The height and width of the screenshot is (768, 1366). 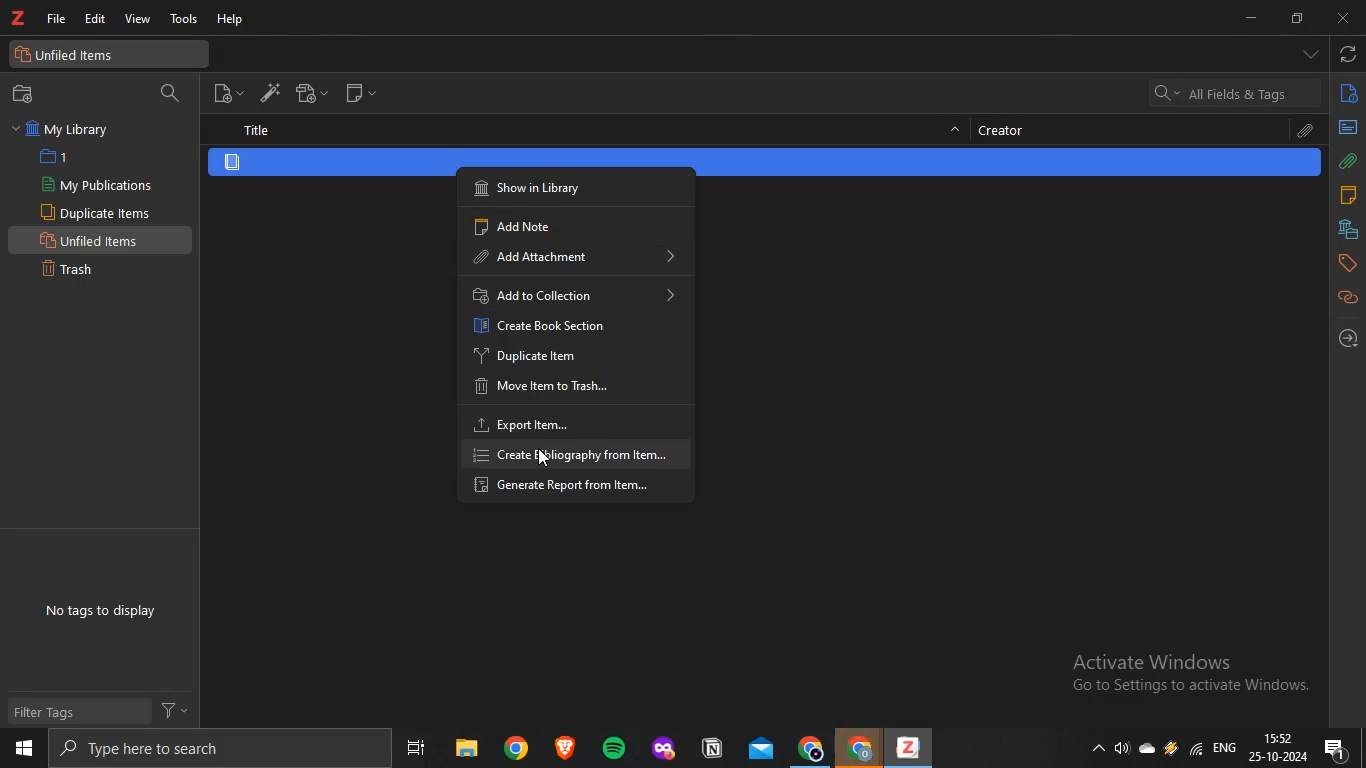 I want to click on wifi, so click(x=1196, y=748).